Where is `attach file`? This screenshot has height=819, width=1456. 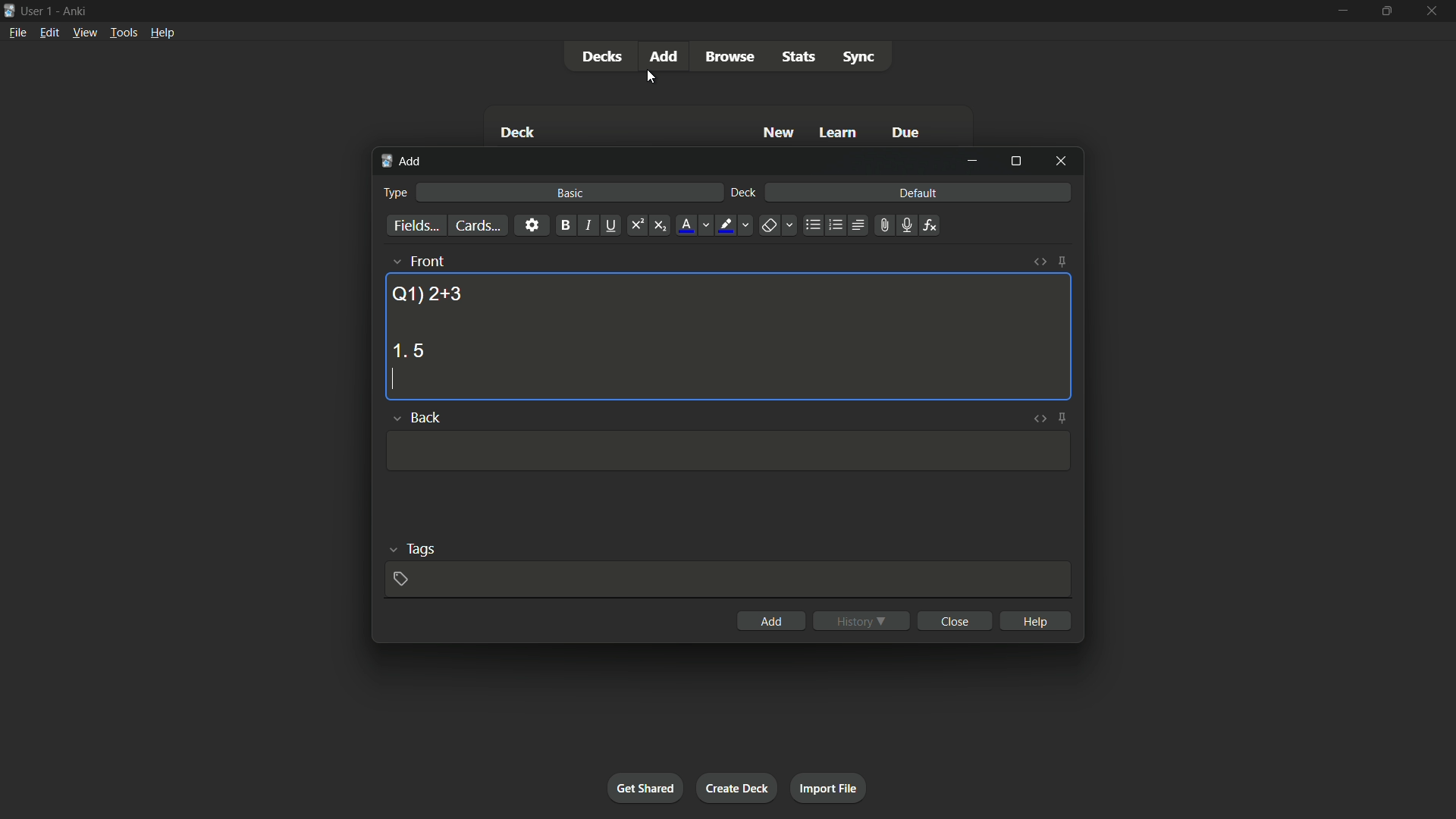 attach file is located at coordinates (883, 225).